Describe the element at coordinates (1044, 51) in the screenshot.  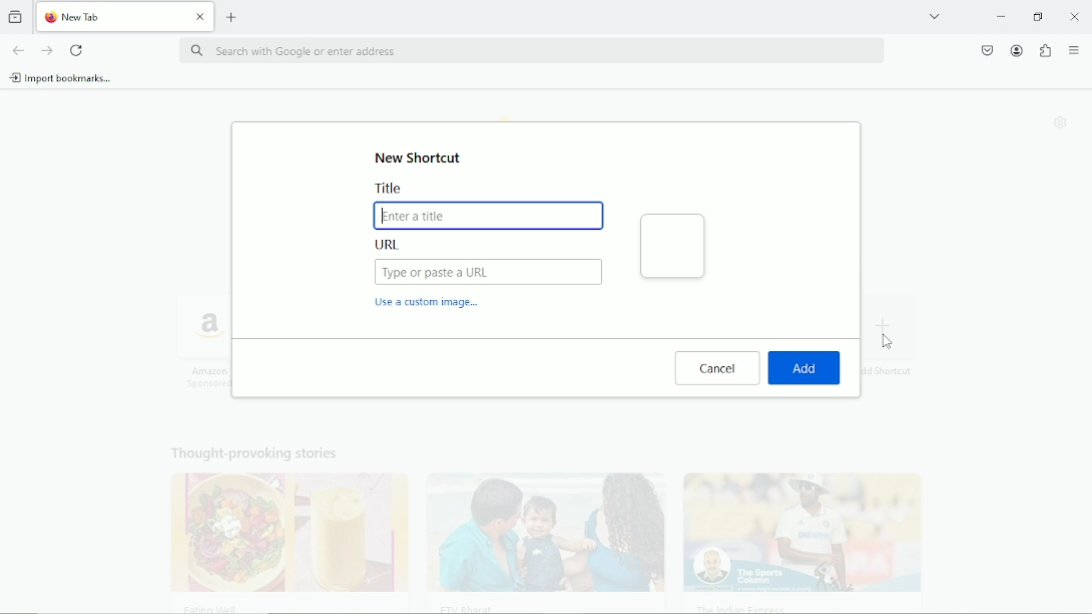
I see `extensions` at that location.